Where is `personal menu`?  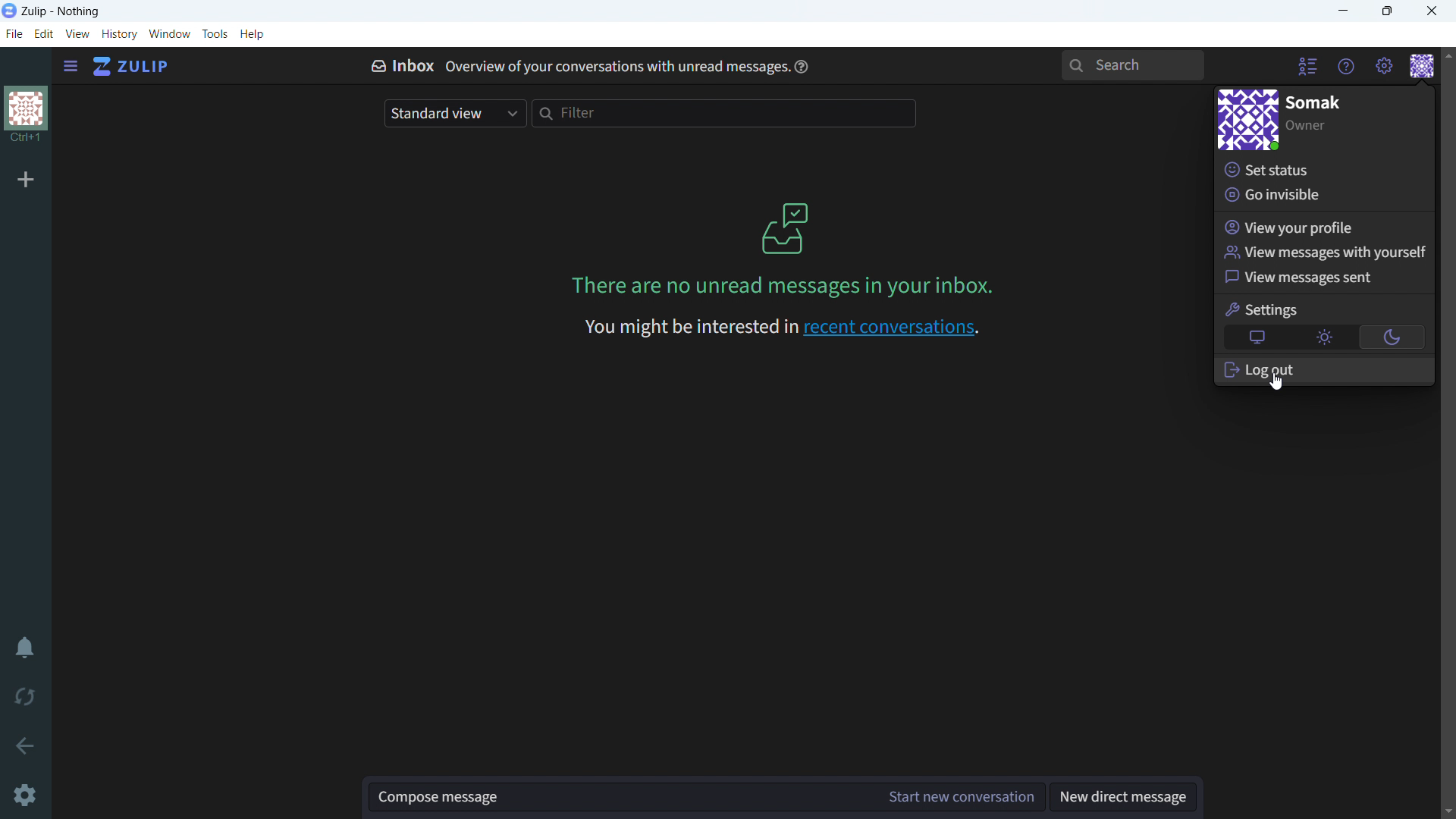
personal menu is located at coordinates (1422, 66).